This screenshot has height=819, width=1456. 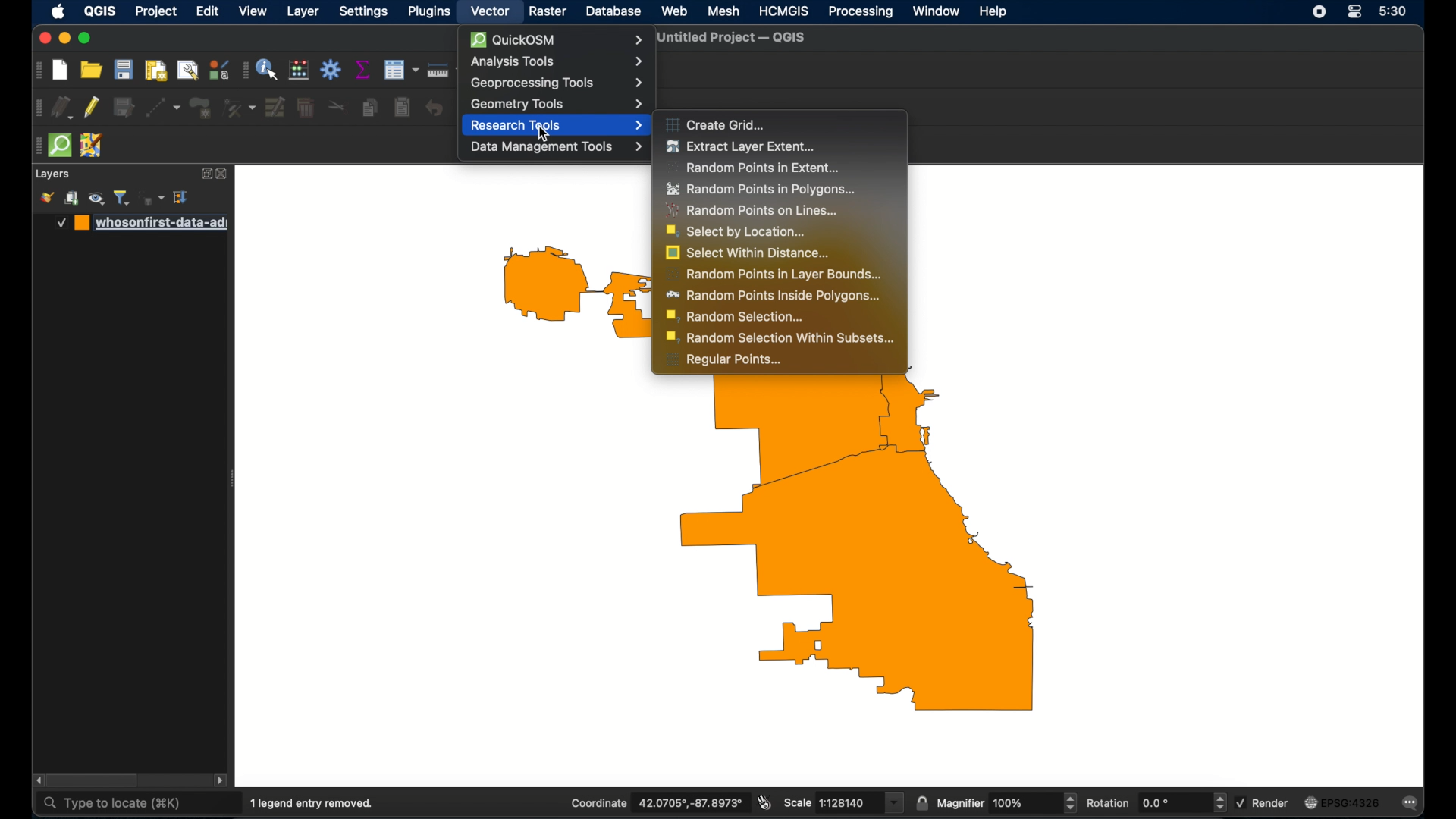 I want to click on scroll right arrow, so click(x=223, y=781).